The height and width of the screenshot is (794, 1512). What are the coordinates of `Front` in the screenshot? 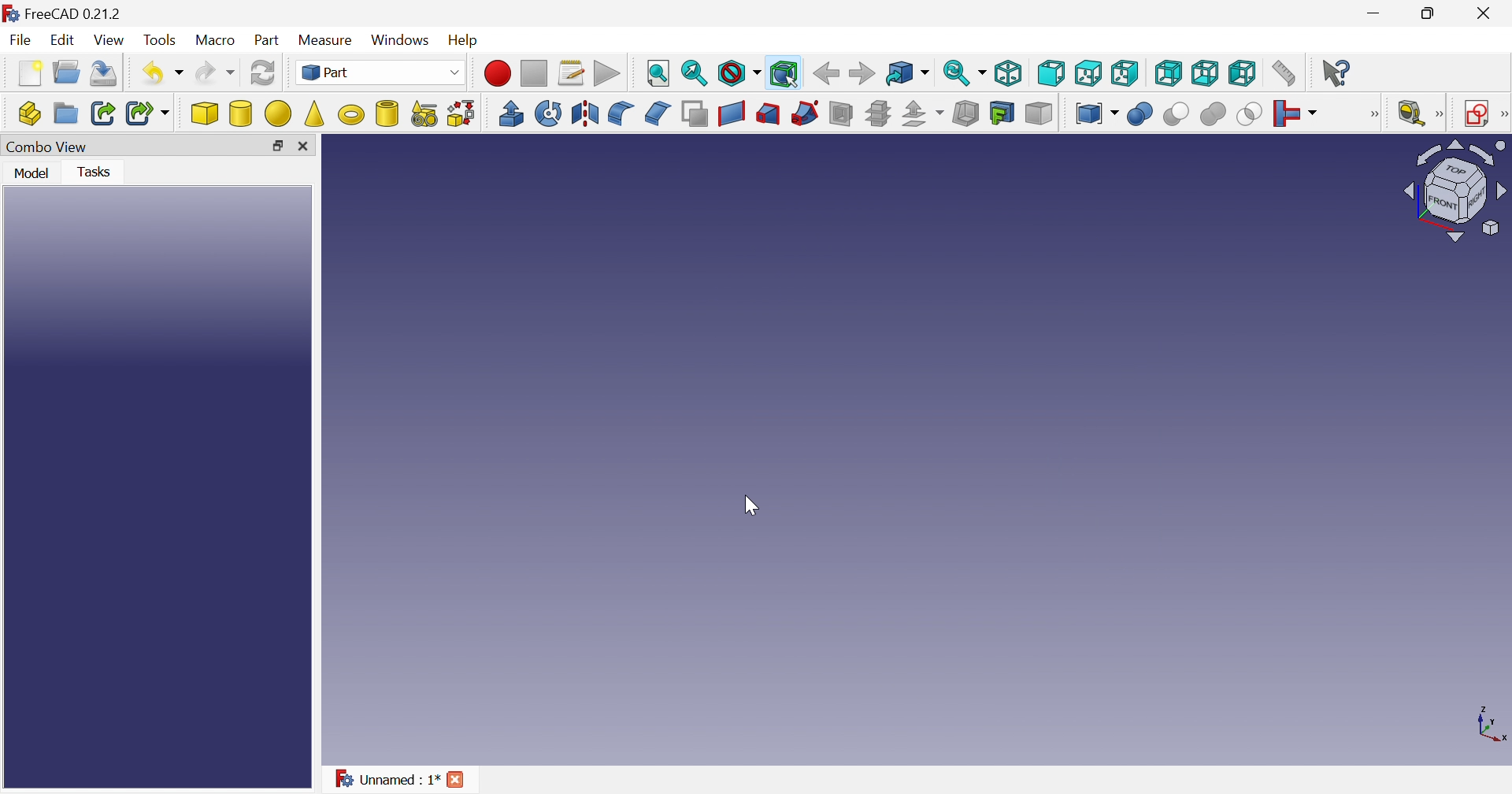 It's located at (1052, 73).